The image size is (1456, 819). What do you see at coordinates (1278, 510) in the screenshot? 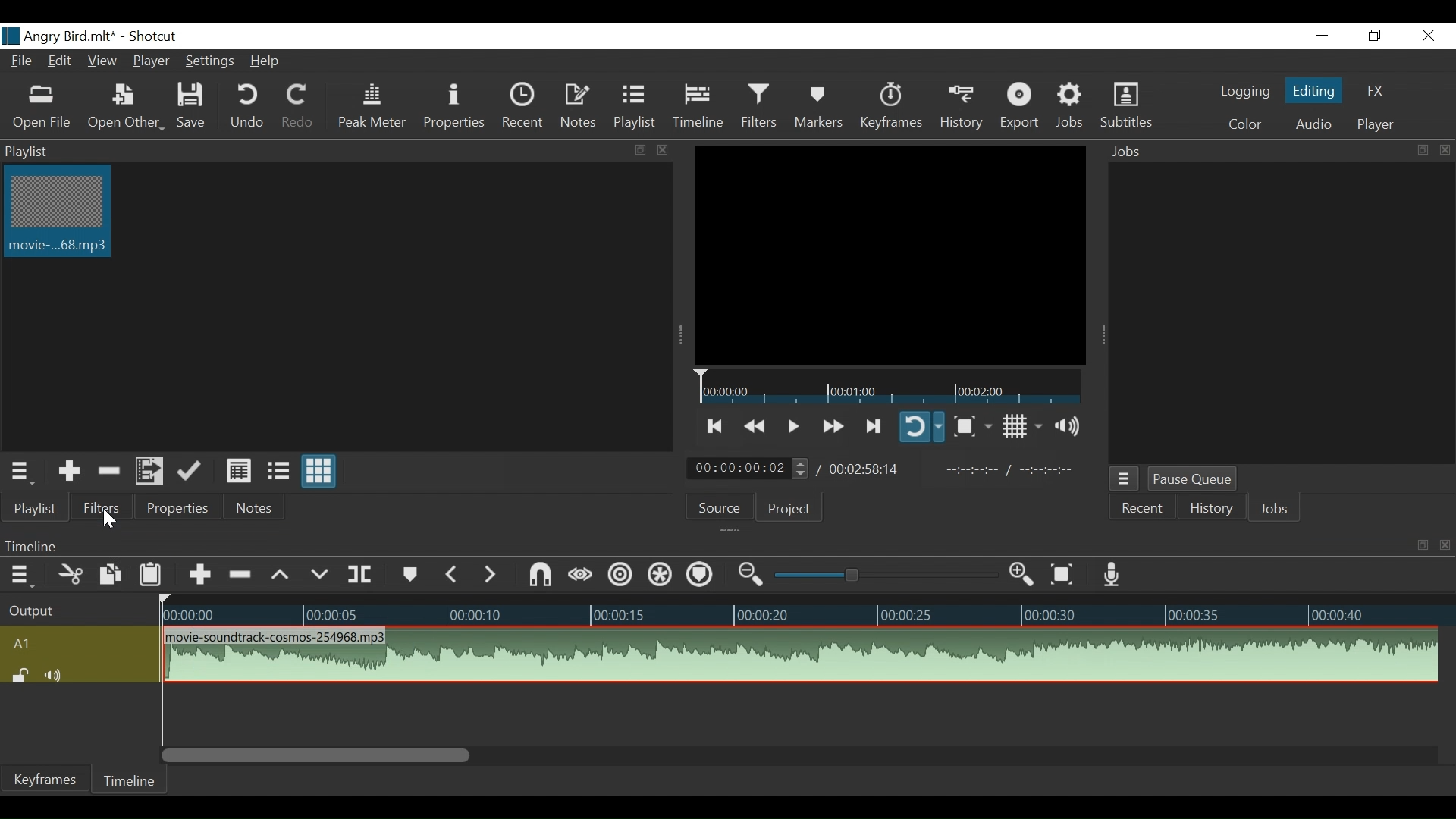
I see `Jobs` at bounding box center [1278, 510].